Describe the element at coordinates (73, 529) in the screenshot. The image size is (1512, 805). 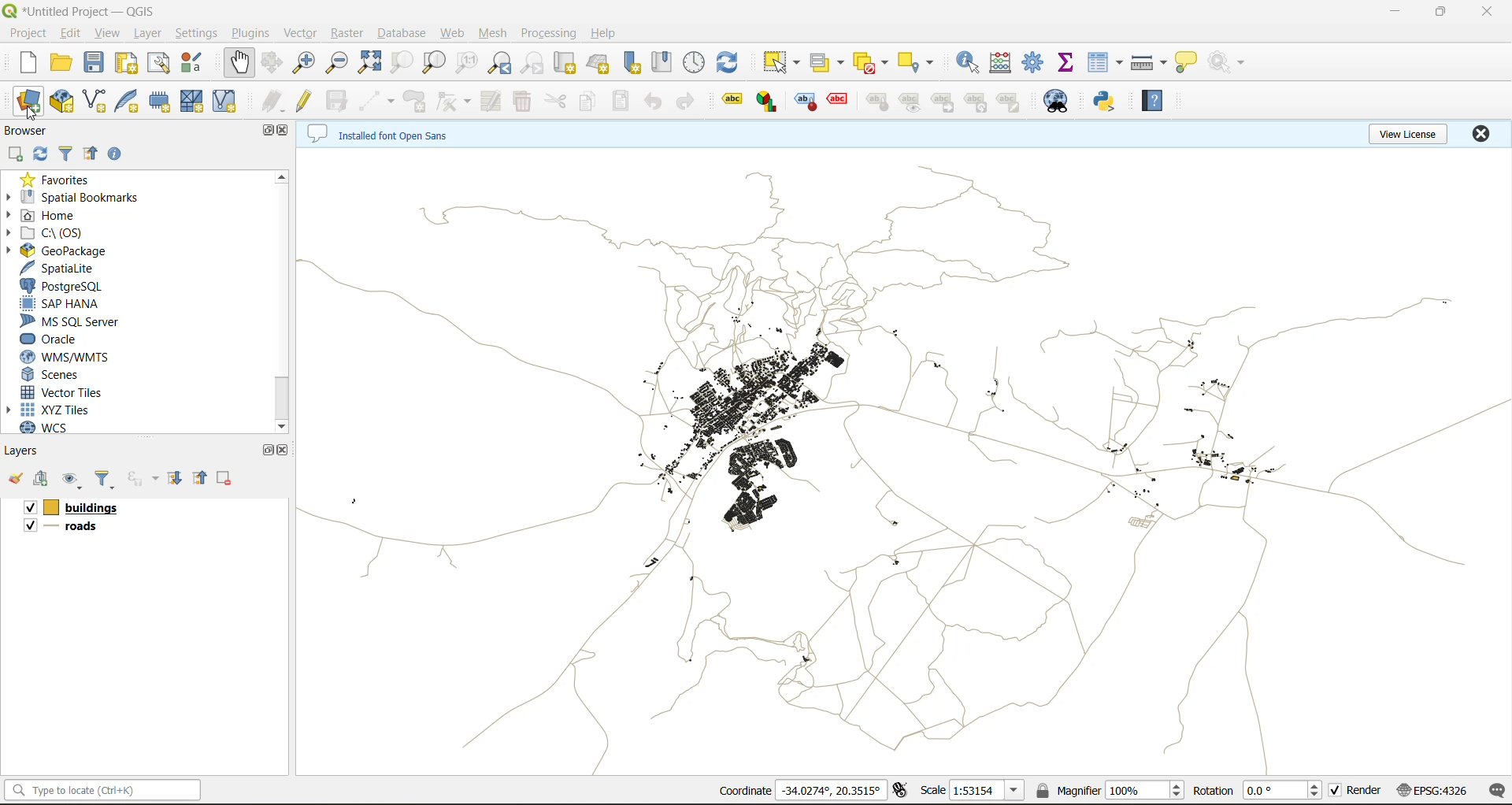
I see `layers` at that location.